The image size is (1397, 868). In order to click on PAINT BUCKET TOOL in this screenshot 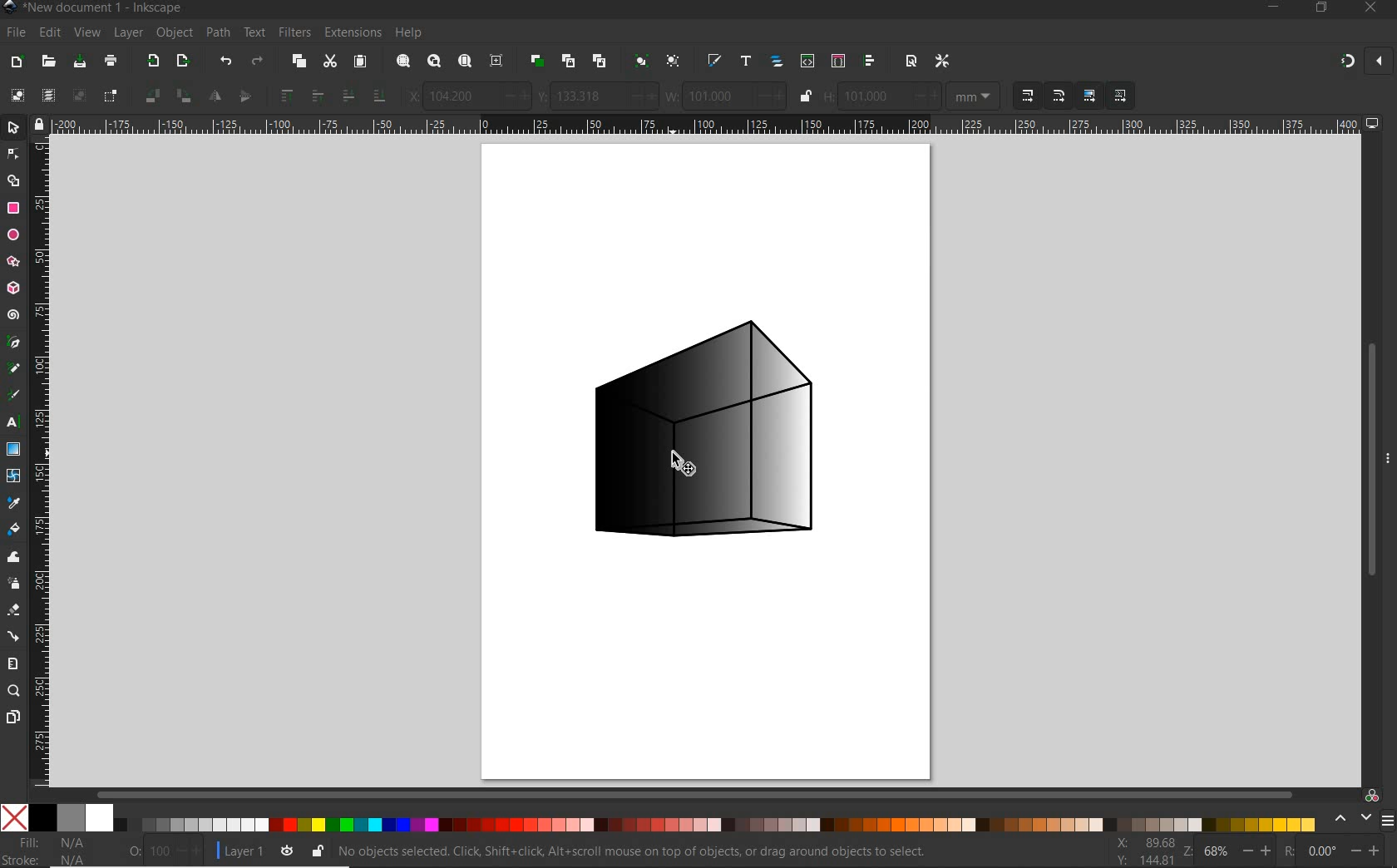, I will do `click(14, 530)`.